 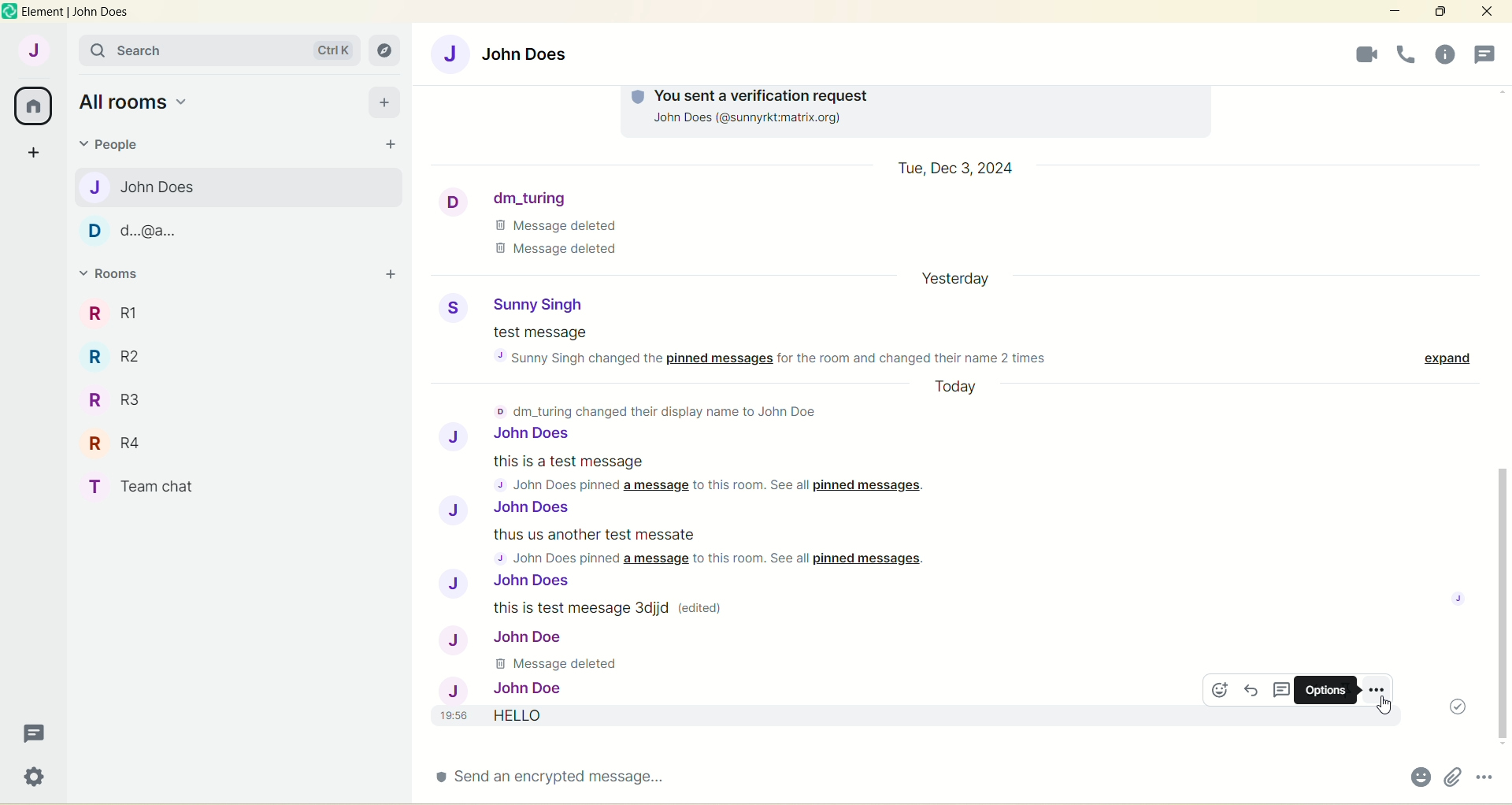 What do you see at coordinates (1358, 54) in the screenshot?
I see `voice call` at bounding box center [1358, 54].